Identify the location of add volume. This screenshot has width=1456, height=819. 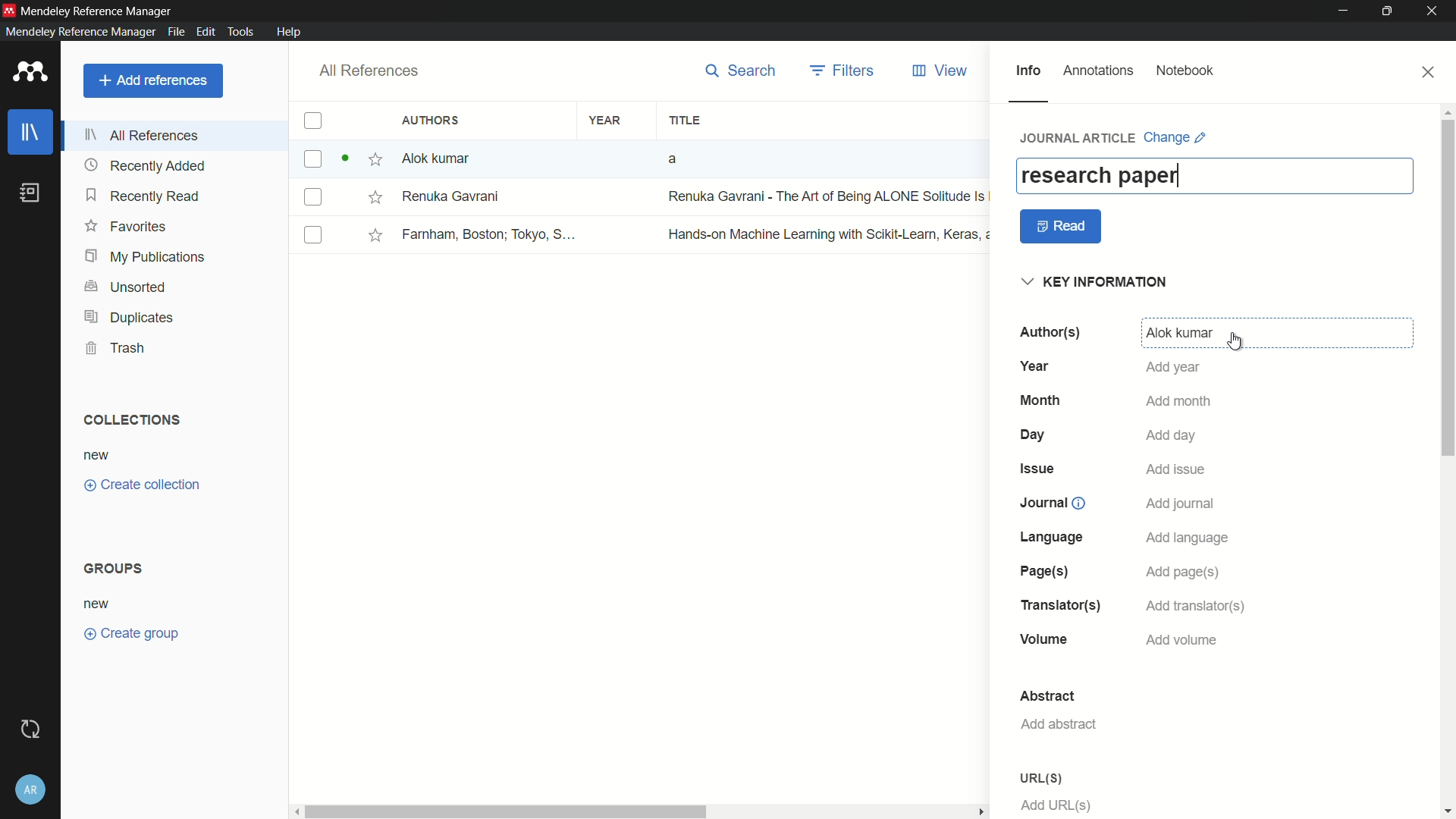
(1182, 640).